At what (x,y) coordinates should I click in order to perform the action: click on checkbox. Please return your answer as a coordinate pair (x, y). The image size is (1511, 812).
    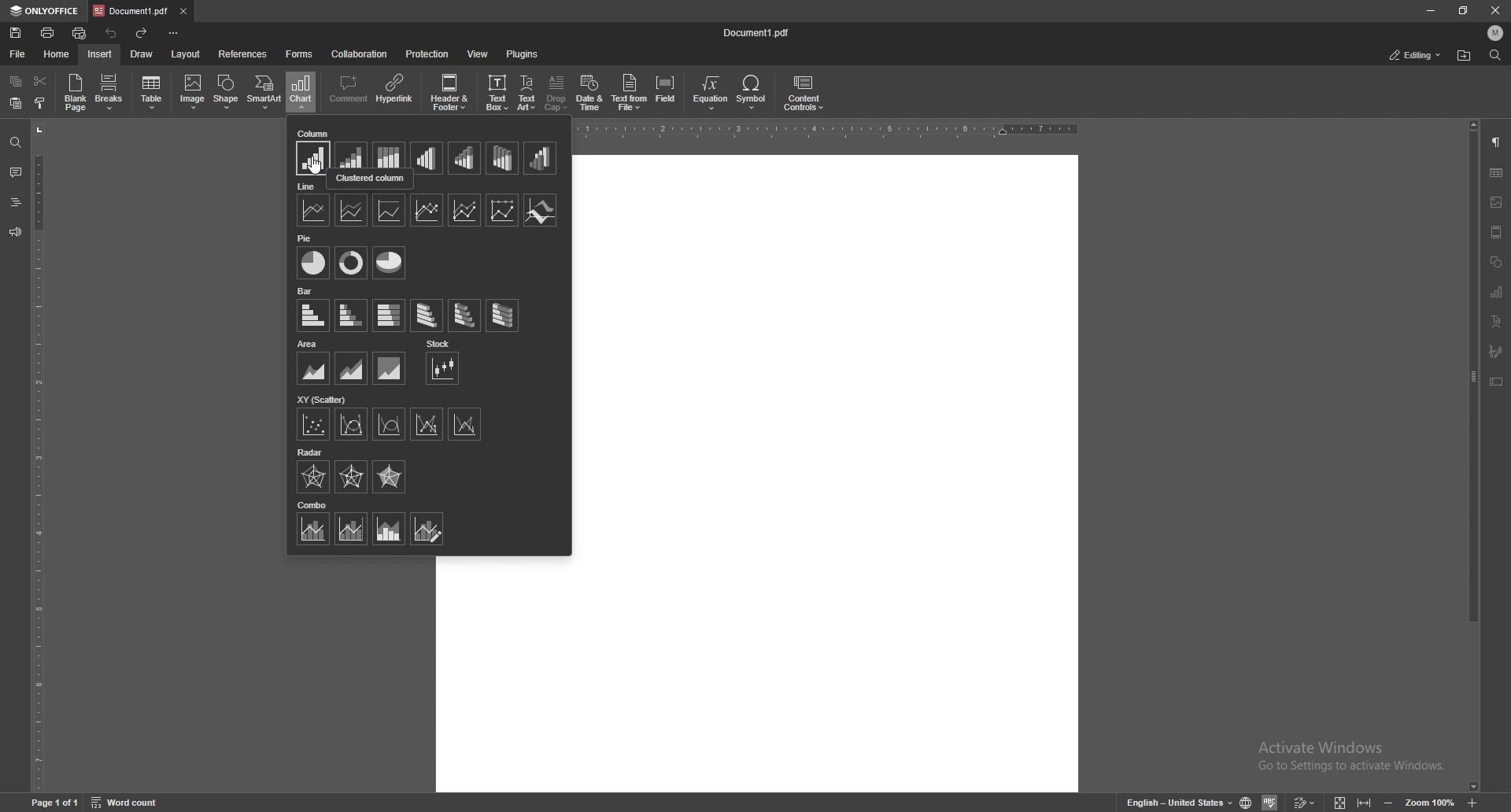
    Looking at the image, I should click on (193, 90).